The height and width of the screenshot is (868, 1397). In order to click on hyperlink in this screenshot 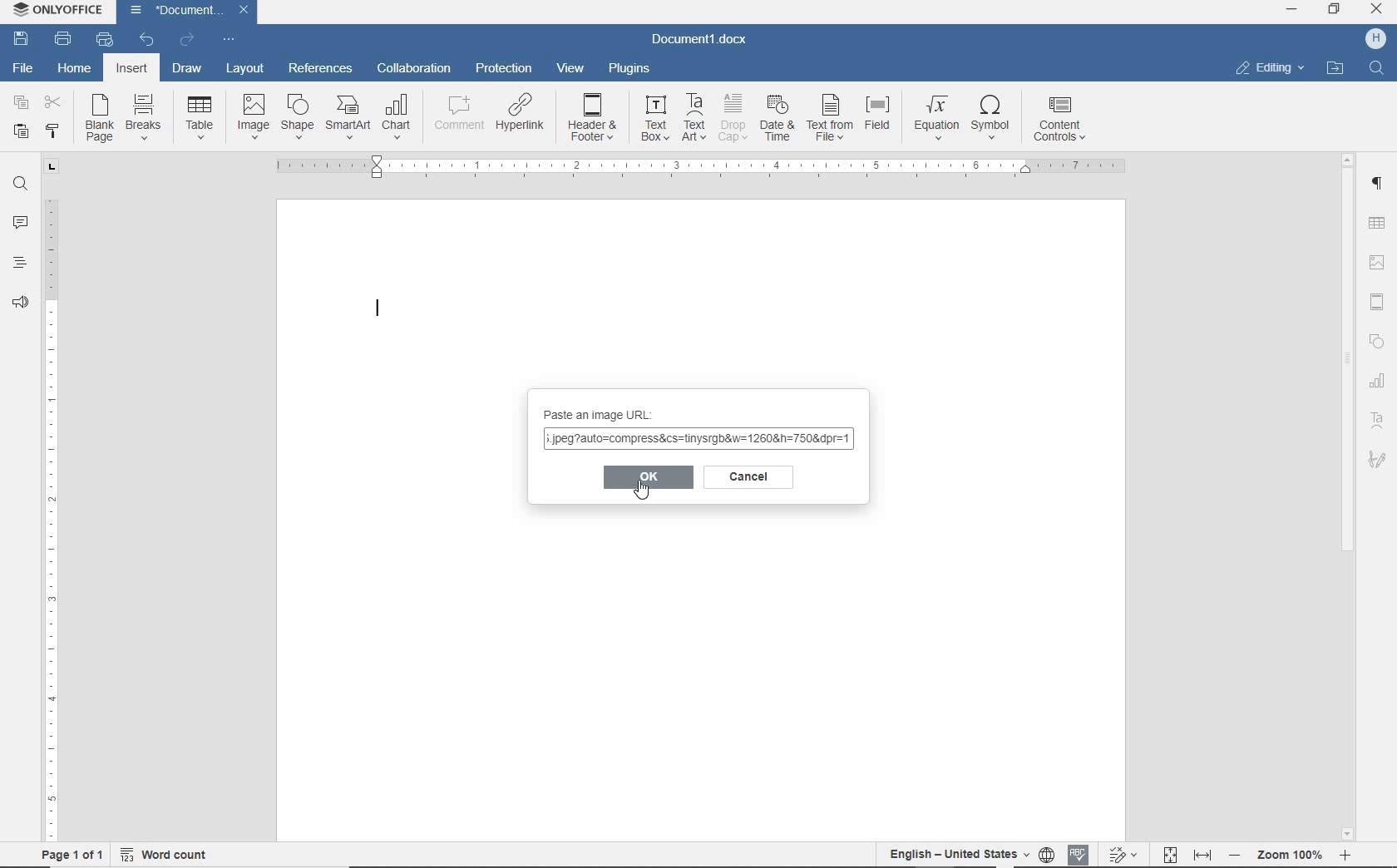, I will do `click(520, 116)`.